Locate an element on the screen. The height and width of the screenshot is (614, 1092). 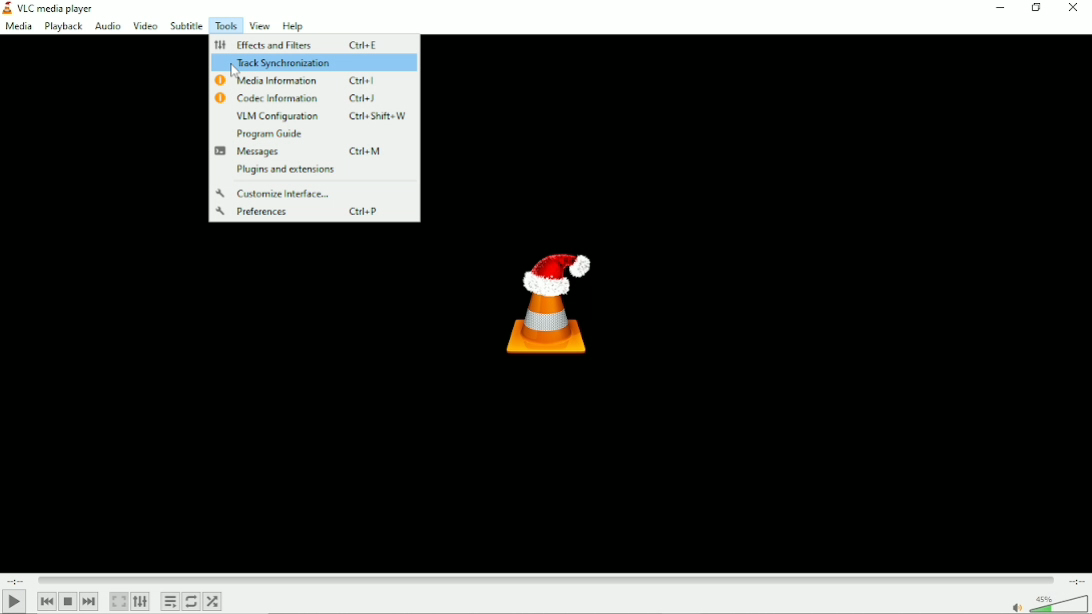
Play is located at coordinates (15, 602).